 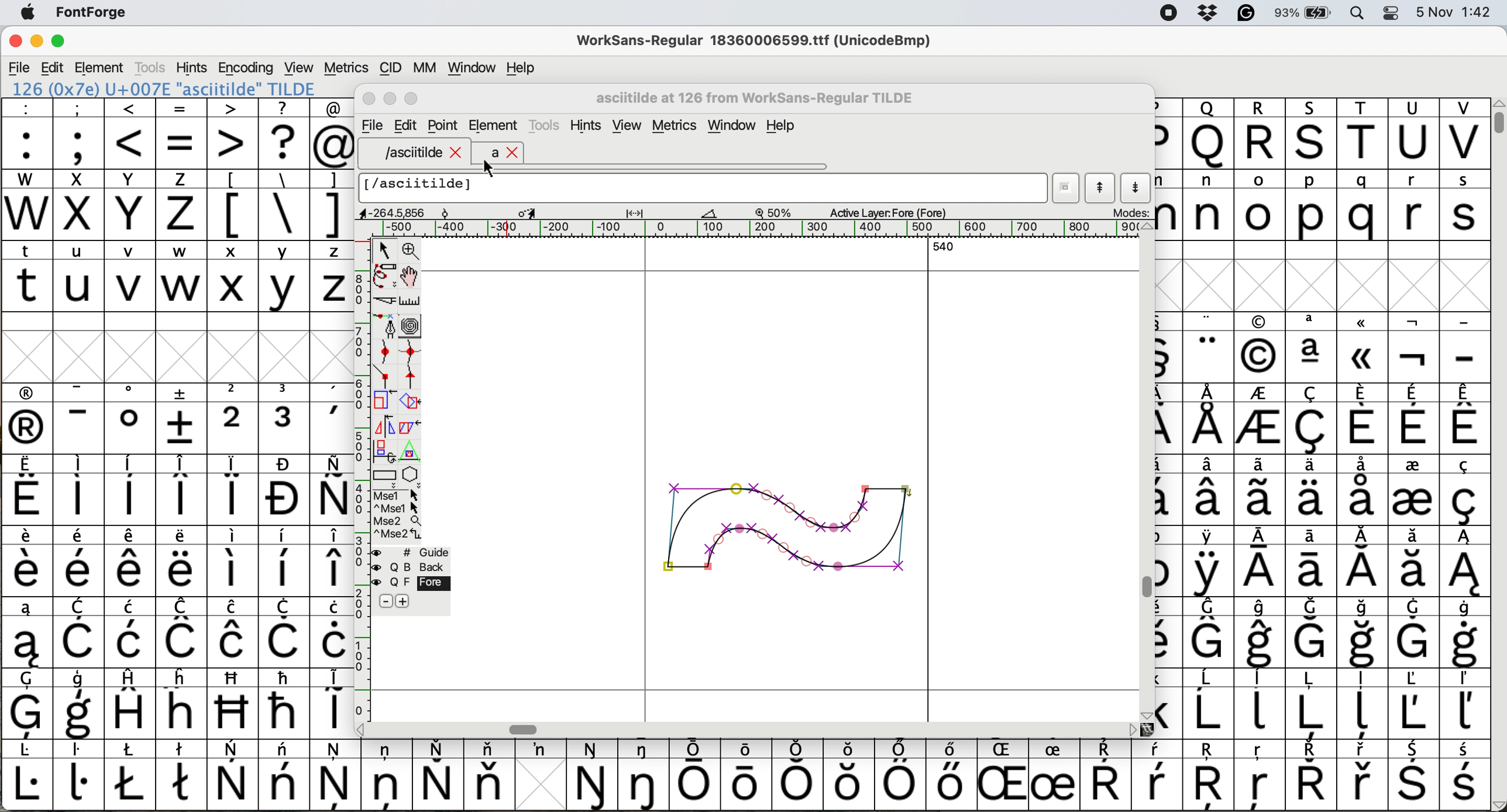 I want to click on symbol, so click(x=183, y=490).